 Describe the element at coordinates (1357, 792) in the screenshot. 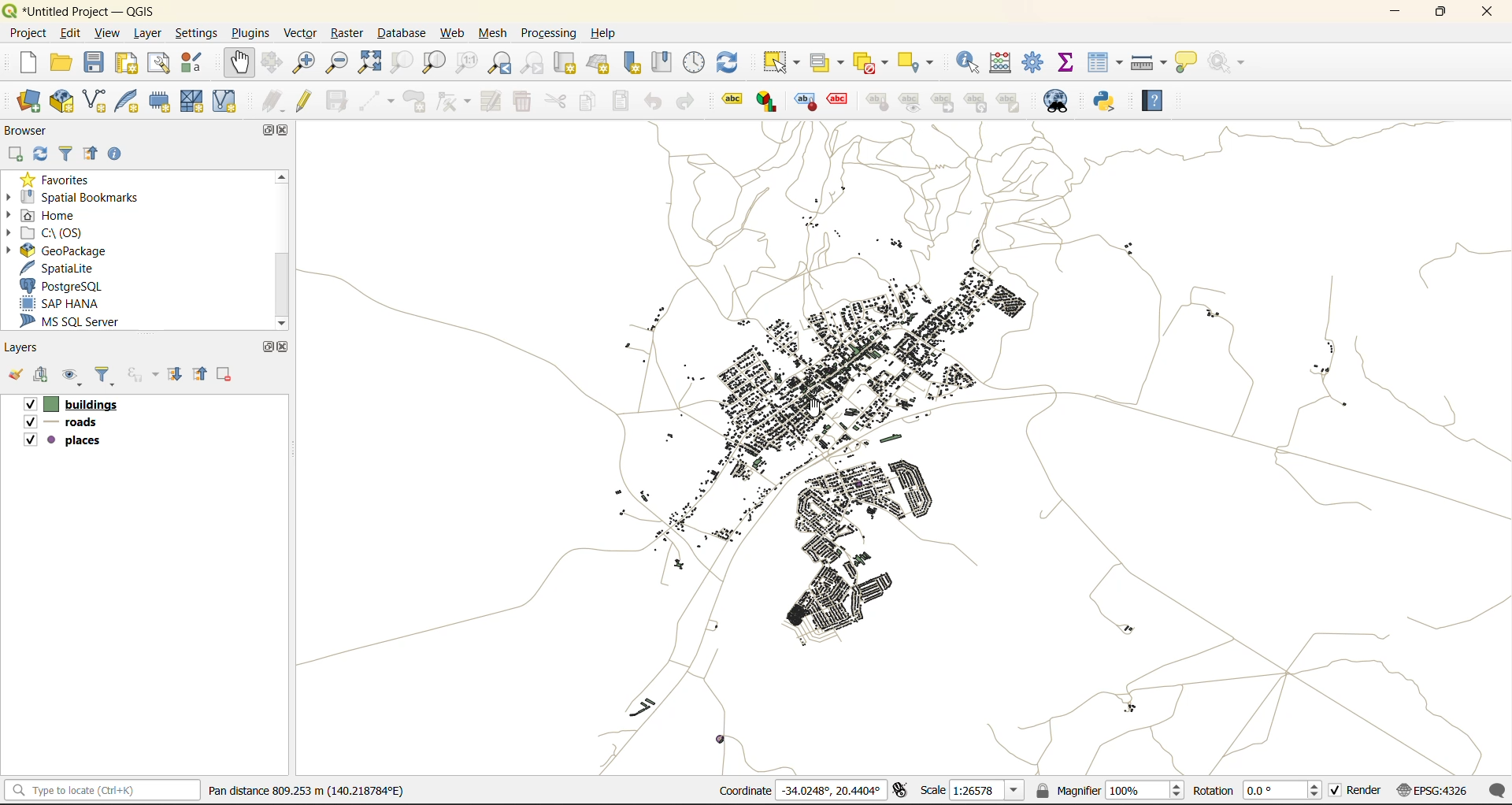

I see `render` at that location.